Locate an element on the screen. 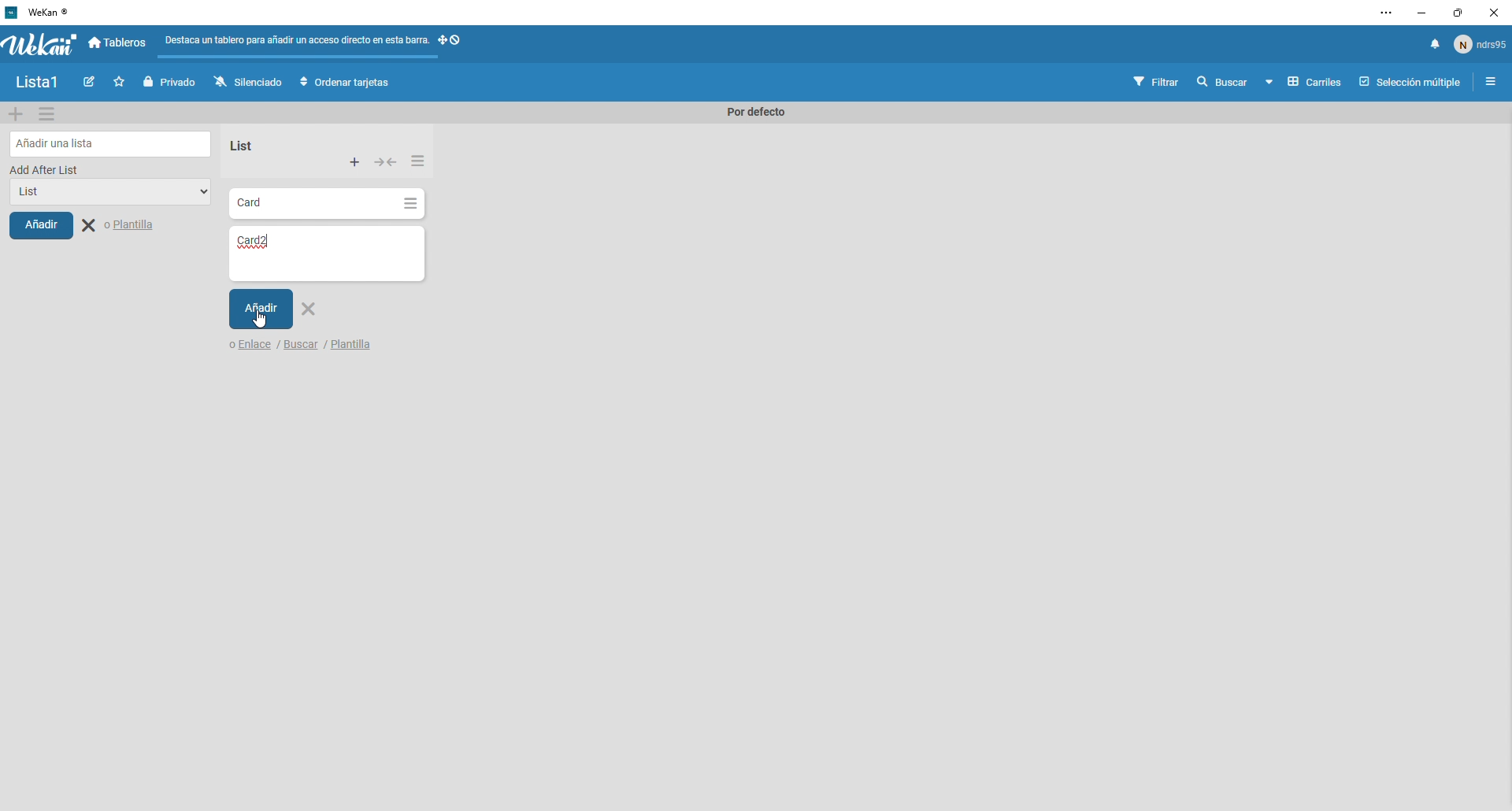  minimise is located at coordinates (1420, 13).